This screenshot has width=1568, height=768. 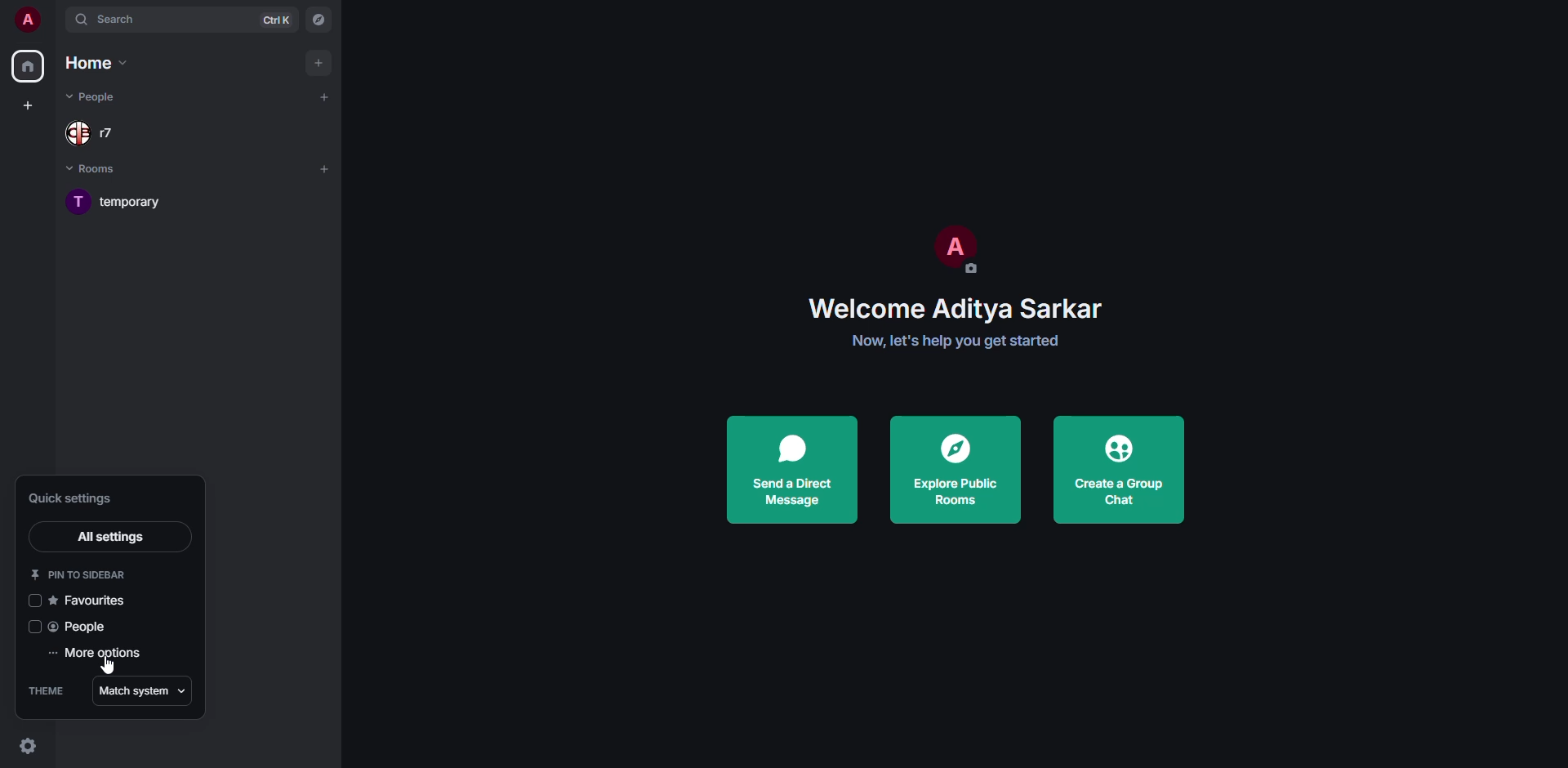 I want to click on navigator, so click(x=318, y=21).